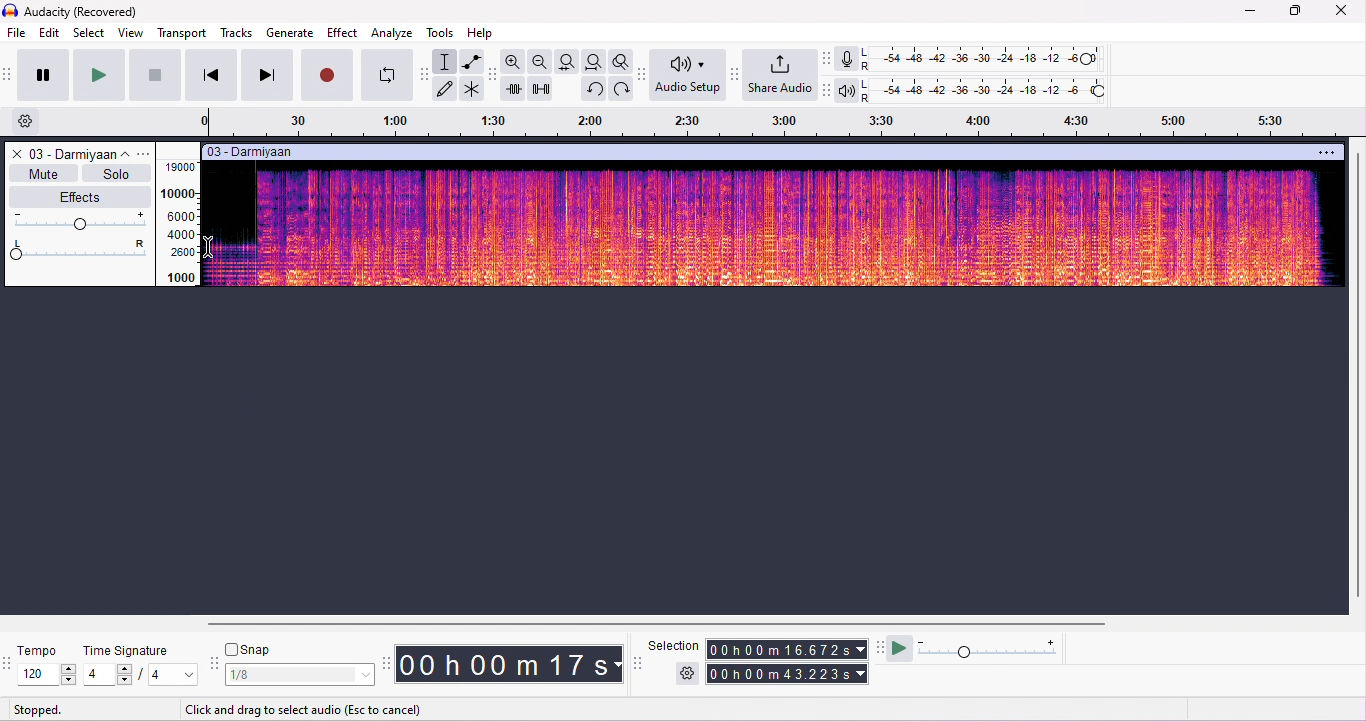 Image resolution: width=1366 pixels, height=722 pixels. What do you see at coordinates (1250, 14) in the screenshot?
I see `minimize` at bounding box center [1250, 14].